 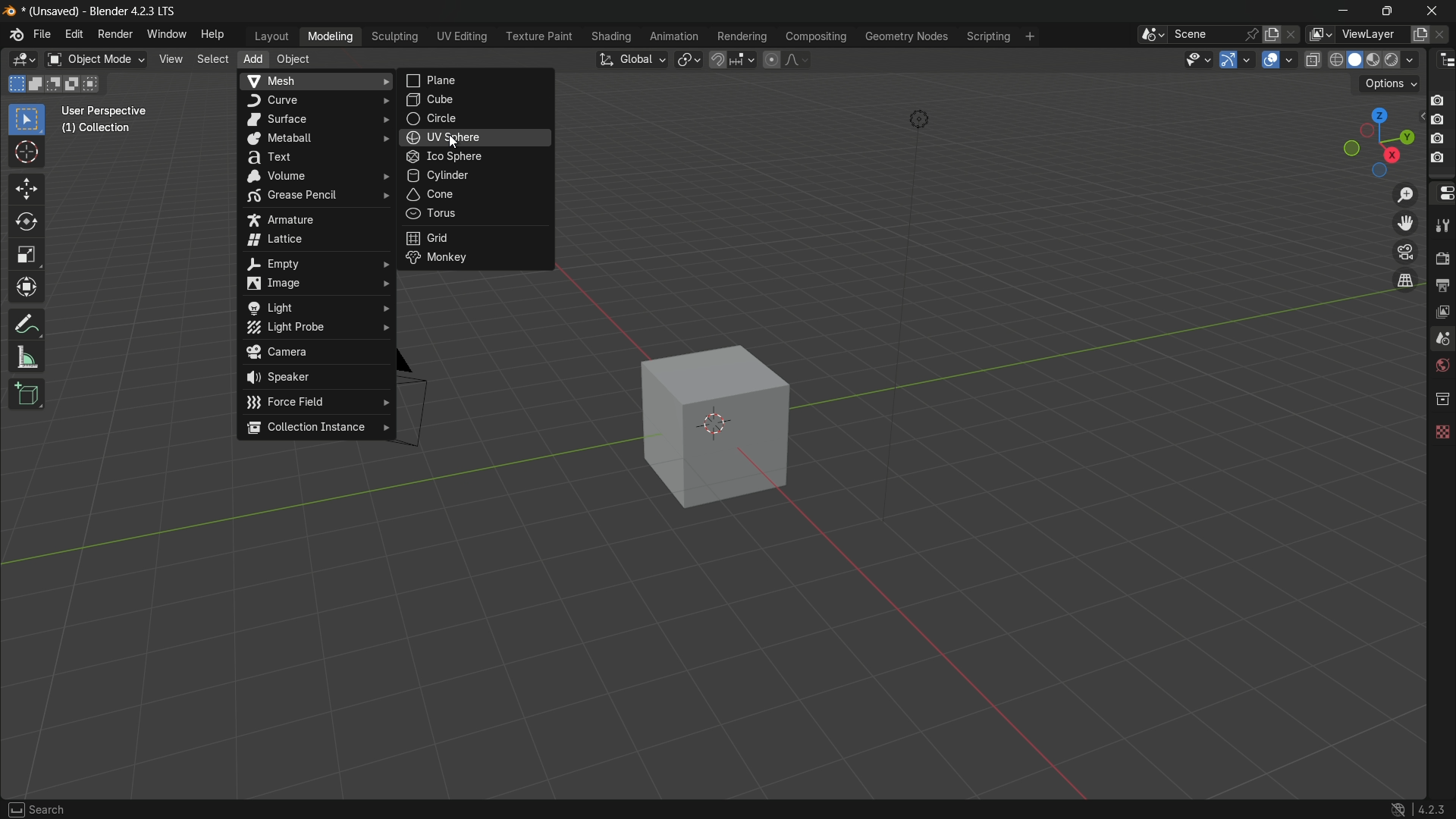 I want to click on surface, so click(x=316, y=118).